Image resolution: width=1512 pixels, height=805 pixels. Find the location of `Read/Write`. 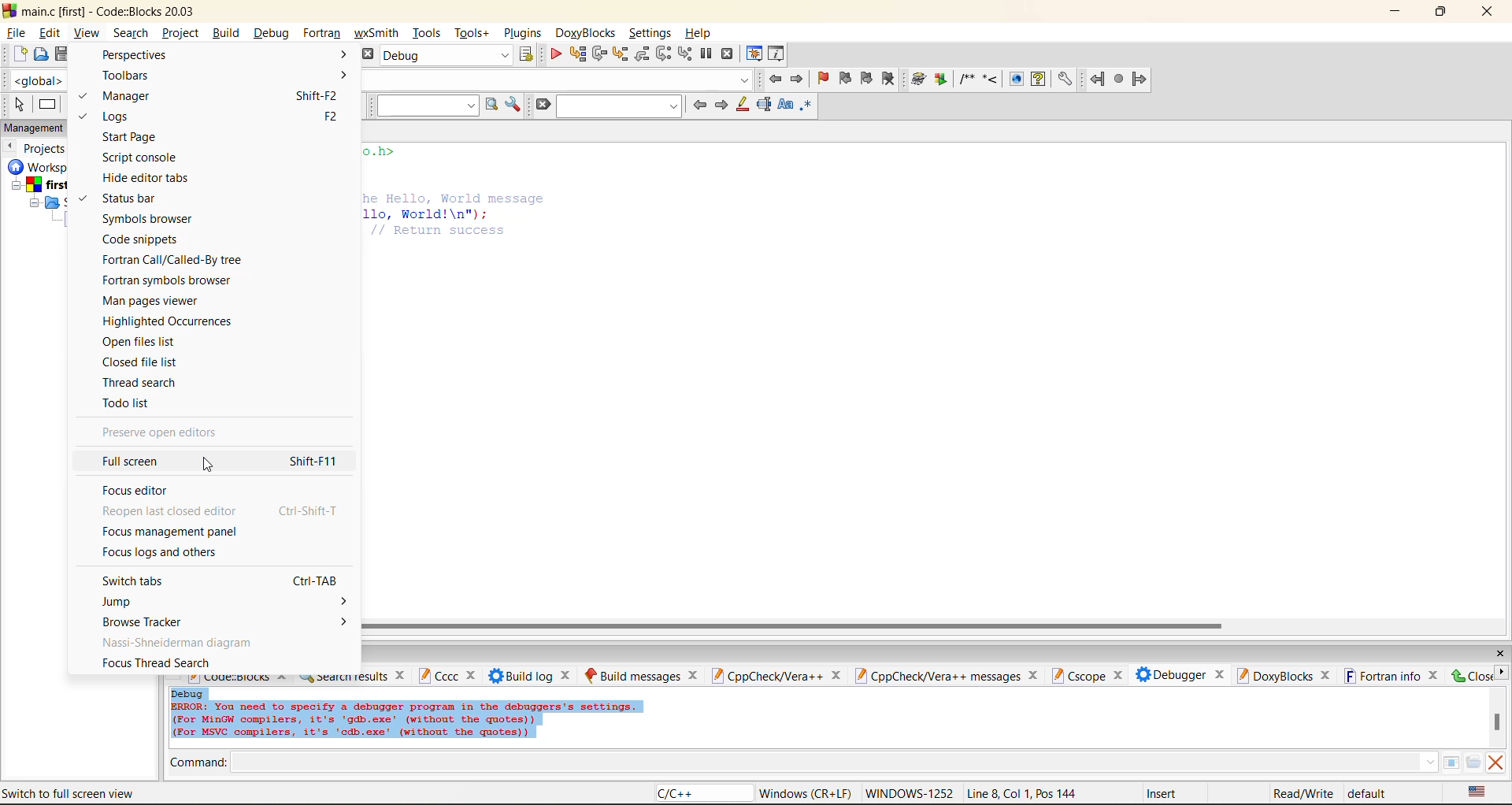

Read/Write is located at coordinates (1299, 795).